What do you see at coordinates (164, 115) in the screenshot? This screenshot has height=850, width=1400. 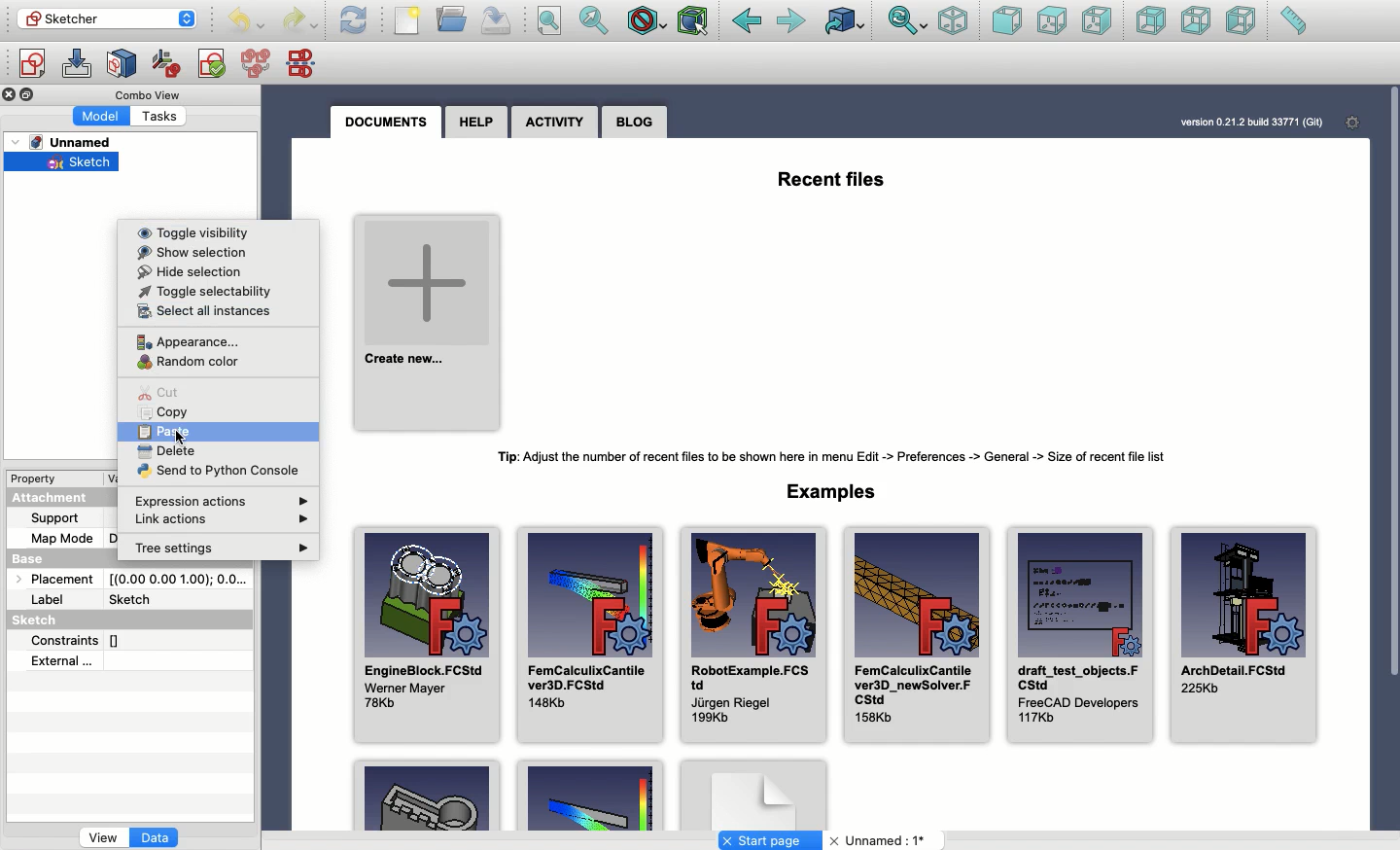 I see `Tasks` at bounding box center [164, 115].